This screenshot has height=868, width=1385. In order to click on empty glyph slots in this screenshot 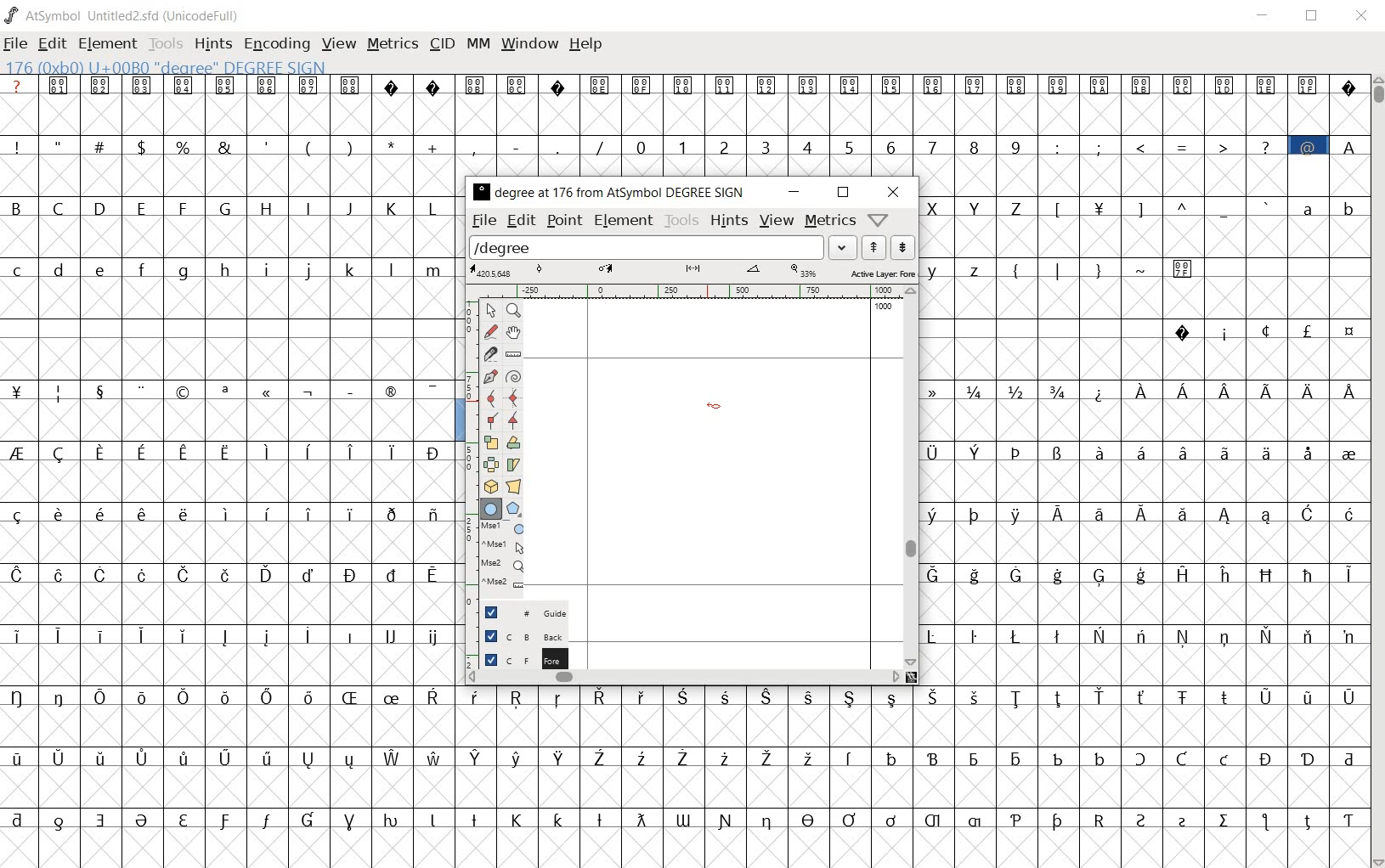, I will do `click(1142, 237)`.